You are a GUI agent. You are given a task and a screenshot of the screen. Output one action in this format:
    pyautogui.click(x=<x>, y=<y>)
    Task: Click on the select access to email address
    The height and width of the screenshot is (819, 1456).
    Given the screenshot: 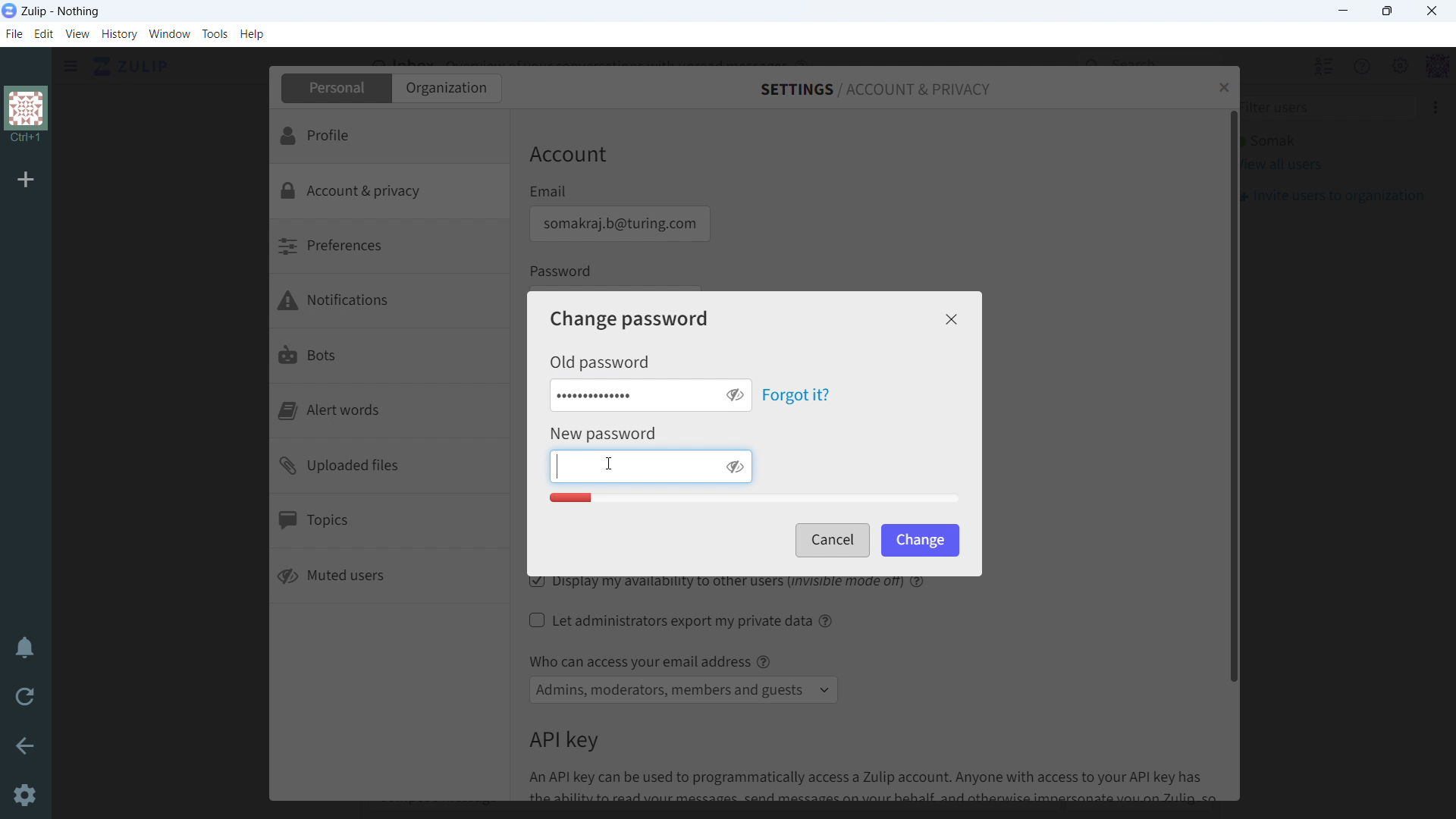 What is the action you would take?
    pyautogui.click(x=684, y=690)
    